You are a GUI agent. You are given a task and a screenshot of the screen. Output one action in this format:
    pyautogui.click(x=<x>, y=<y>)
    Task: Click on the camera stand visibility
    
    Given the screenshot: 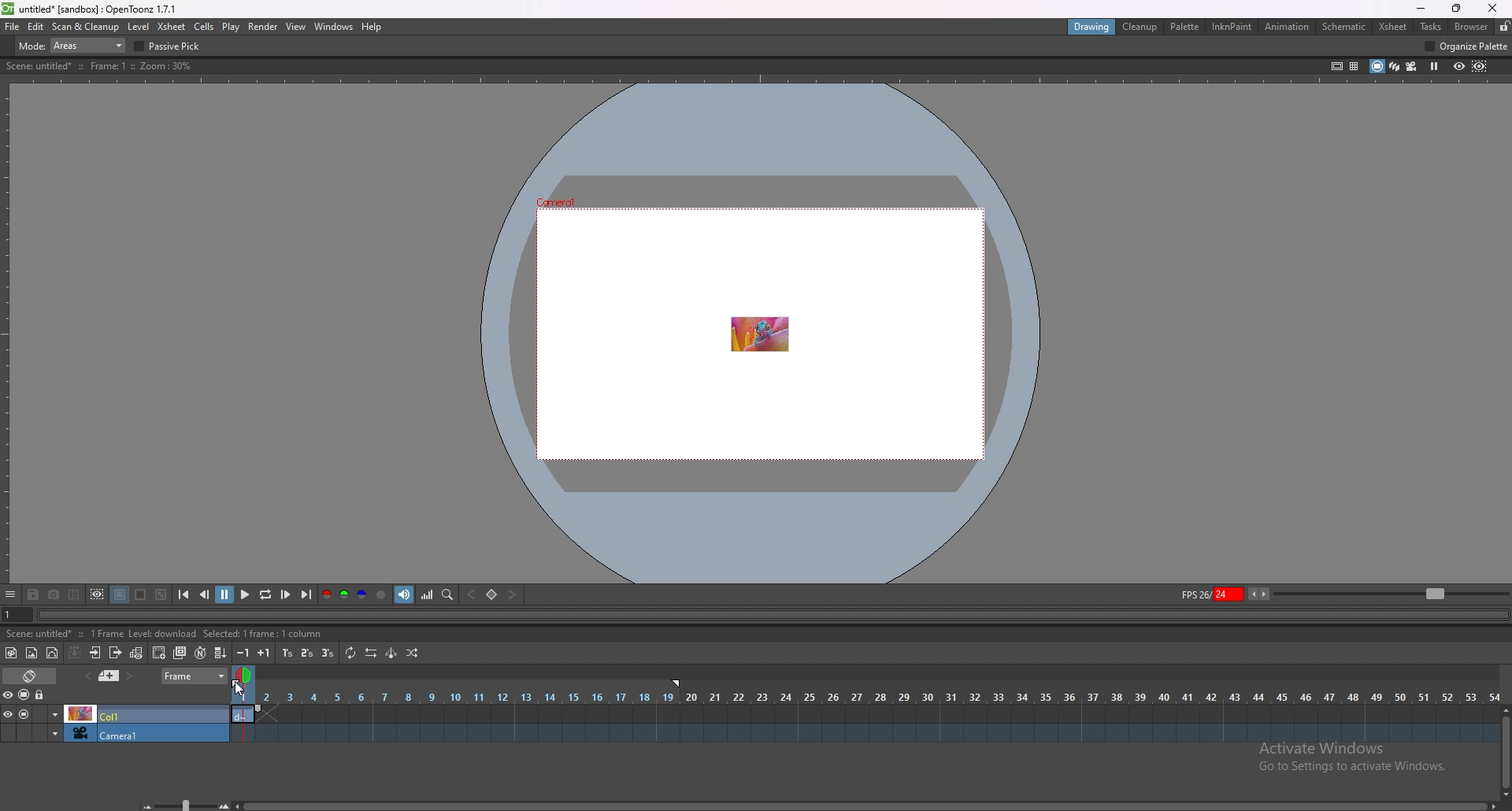 What is the action you would take?
    pyautogui.click(x=25, y=695)
    